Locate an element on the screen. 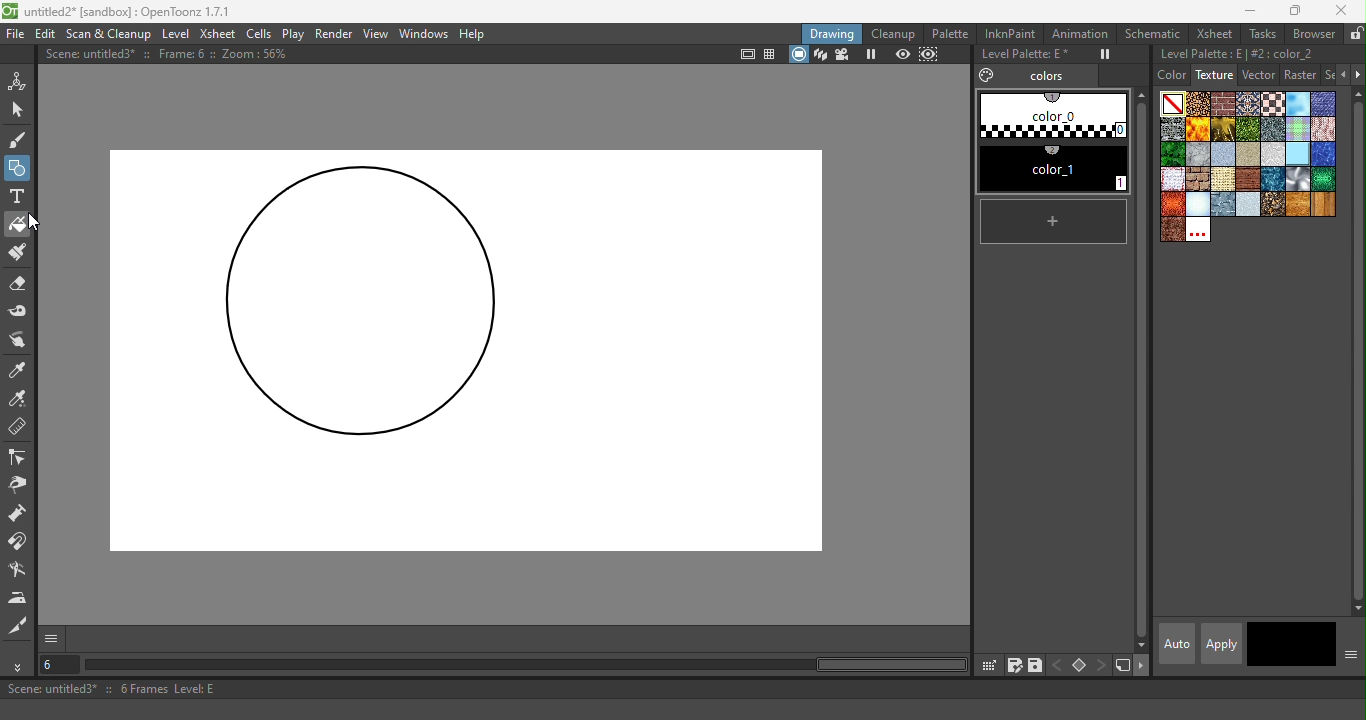 The image size is (1366, 720). Animation is located at coordinates (1080, 34).